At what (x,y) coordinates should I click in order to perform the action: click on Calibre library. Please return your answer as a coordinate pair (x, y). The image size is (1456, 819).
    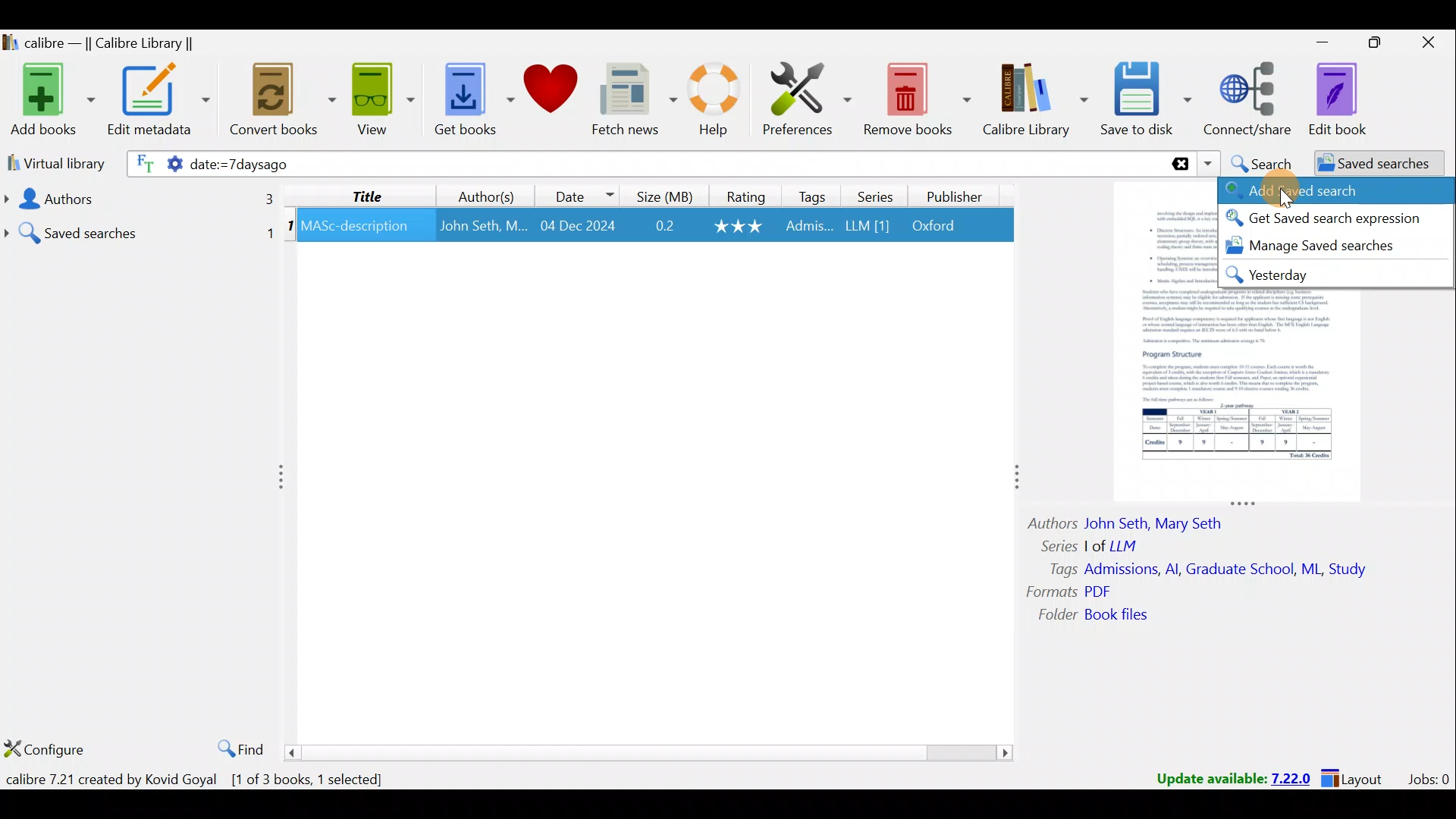
    Looking at the image, I should click on (1037, 101).